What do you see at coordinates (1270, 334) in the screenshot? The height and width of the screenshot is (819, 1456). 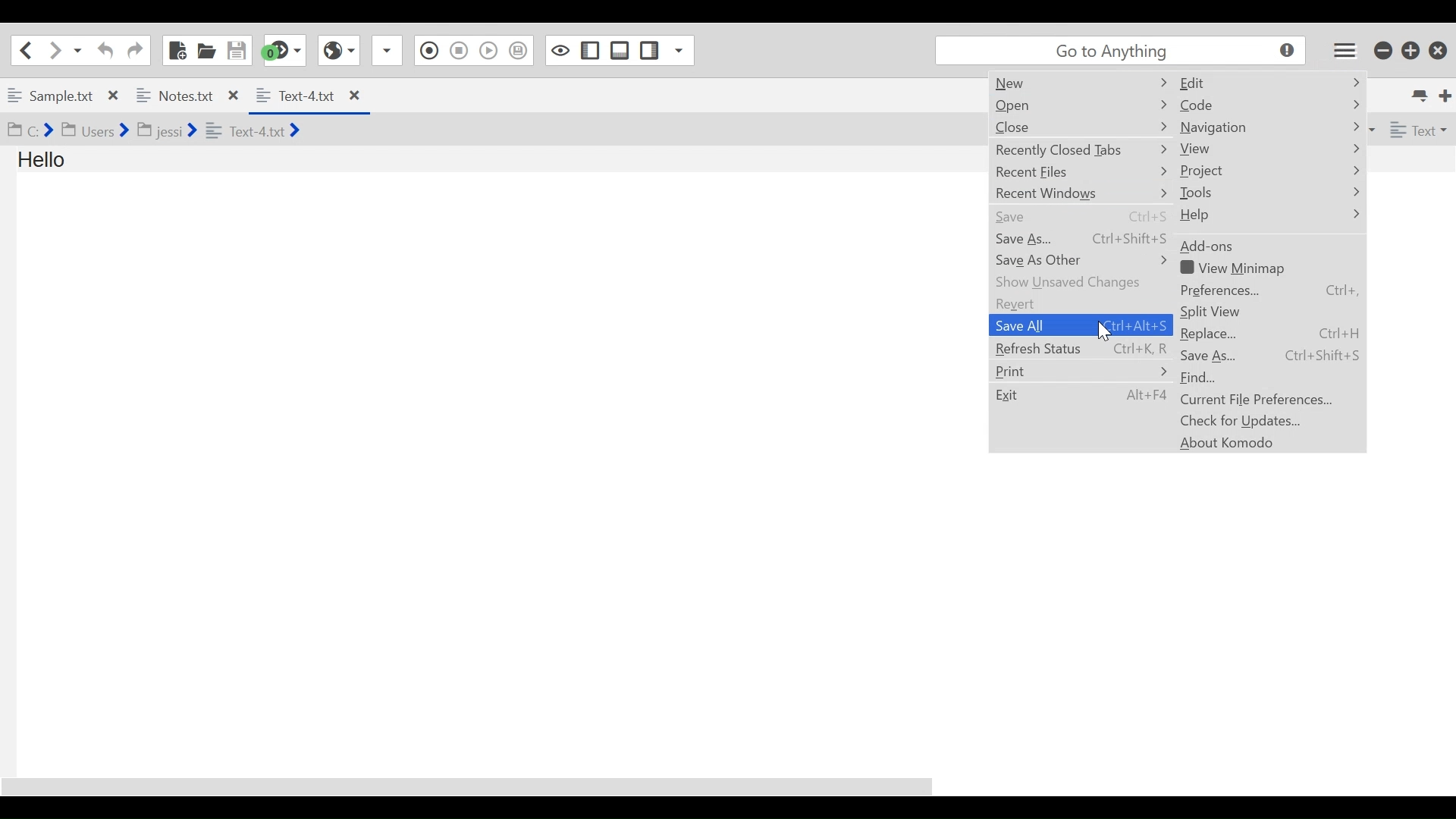 I see `Replace` at bounding box center [1270, 334].